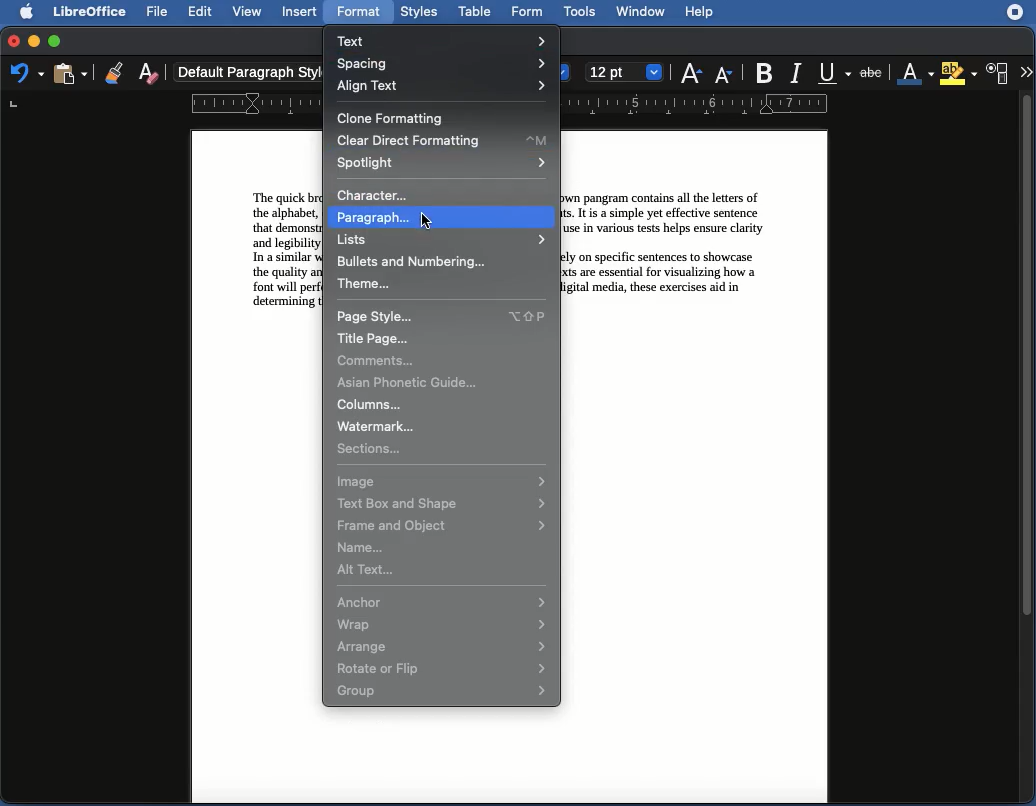  I want to click on Image, so click(444, 481).